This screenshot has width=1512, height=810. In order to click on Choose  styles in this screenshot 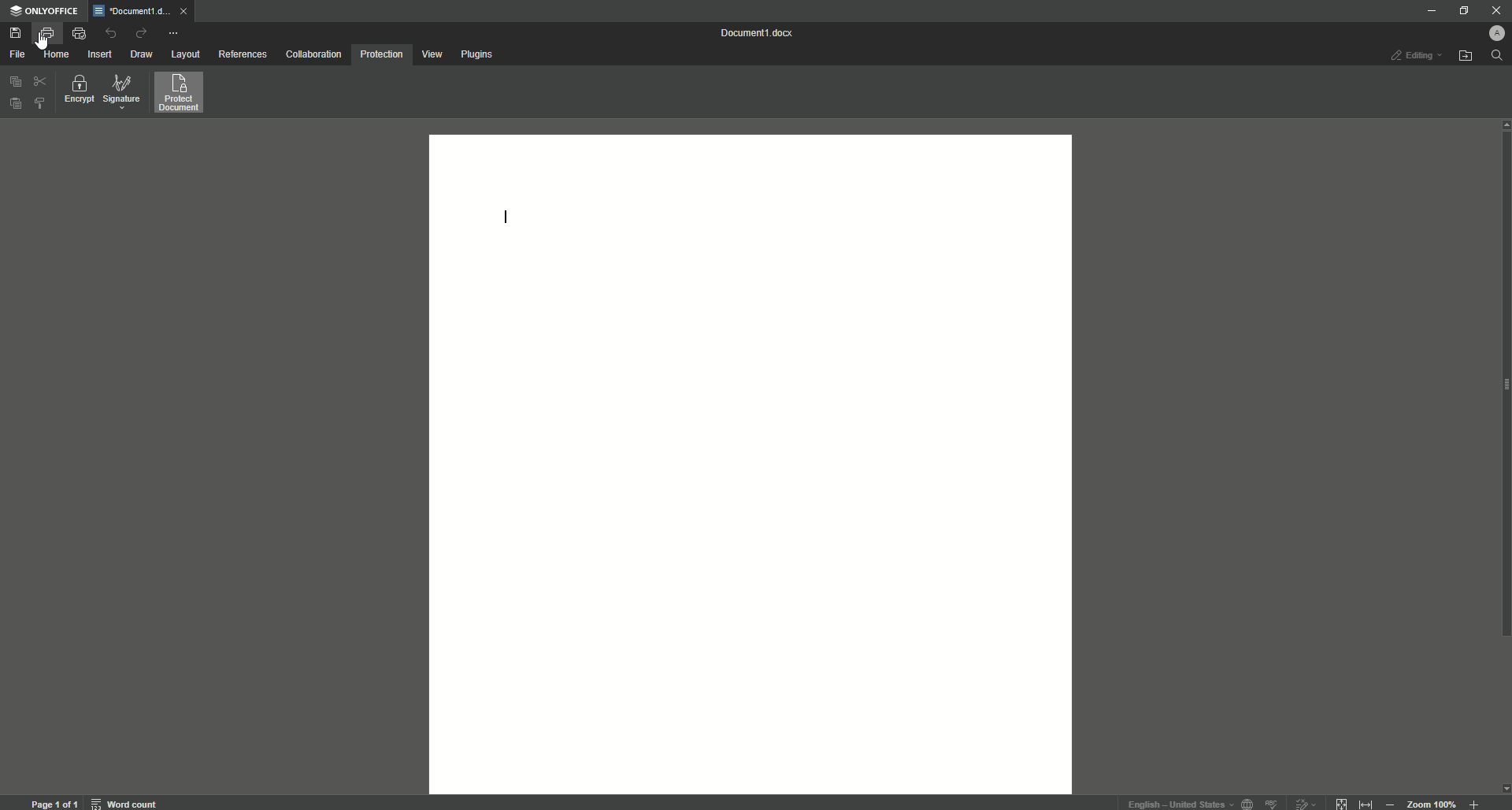, I will do `click(40, 107)`.